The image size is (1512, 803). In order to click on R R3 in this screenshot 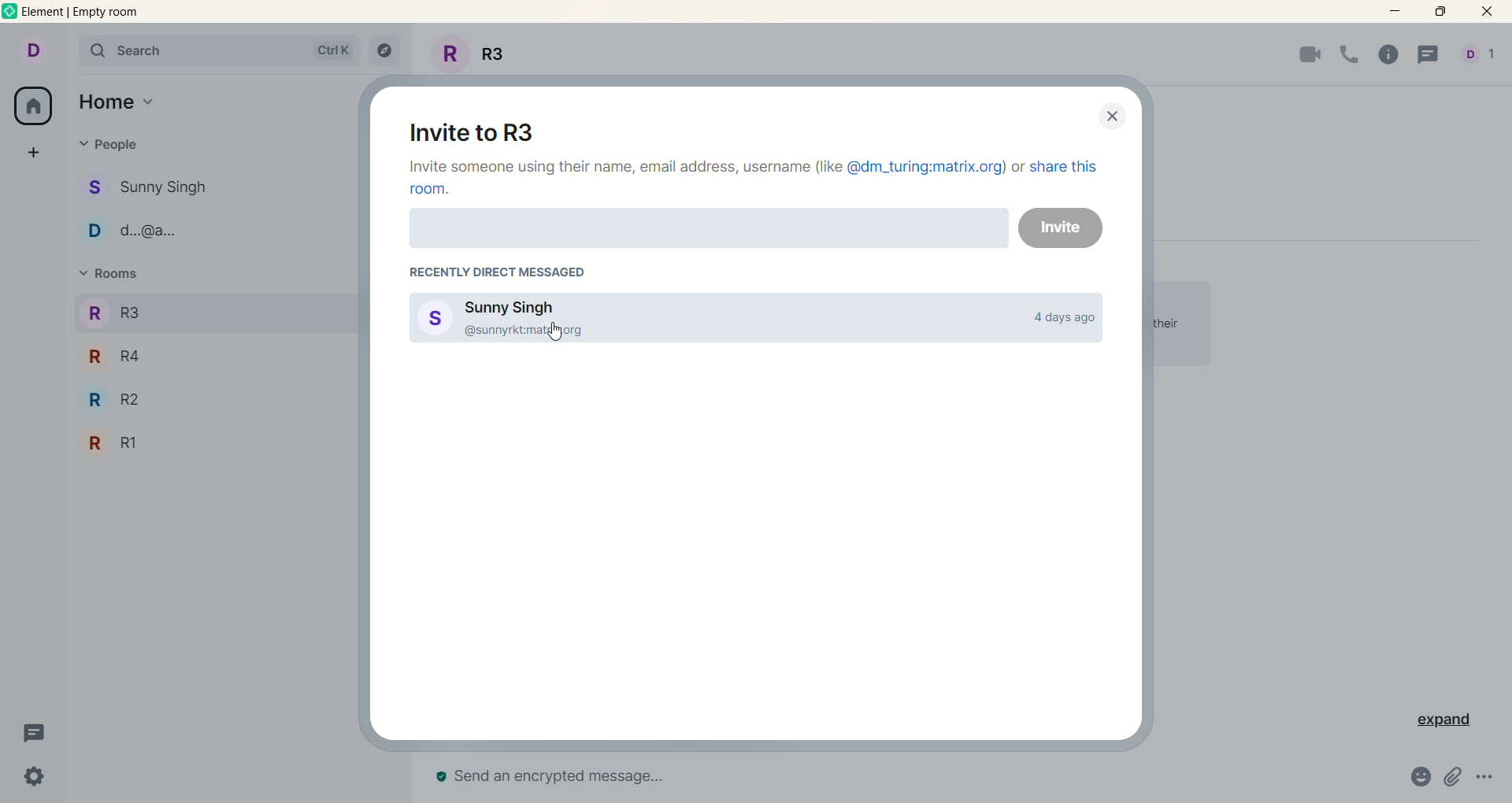, I will do `click(114, 313)`.